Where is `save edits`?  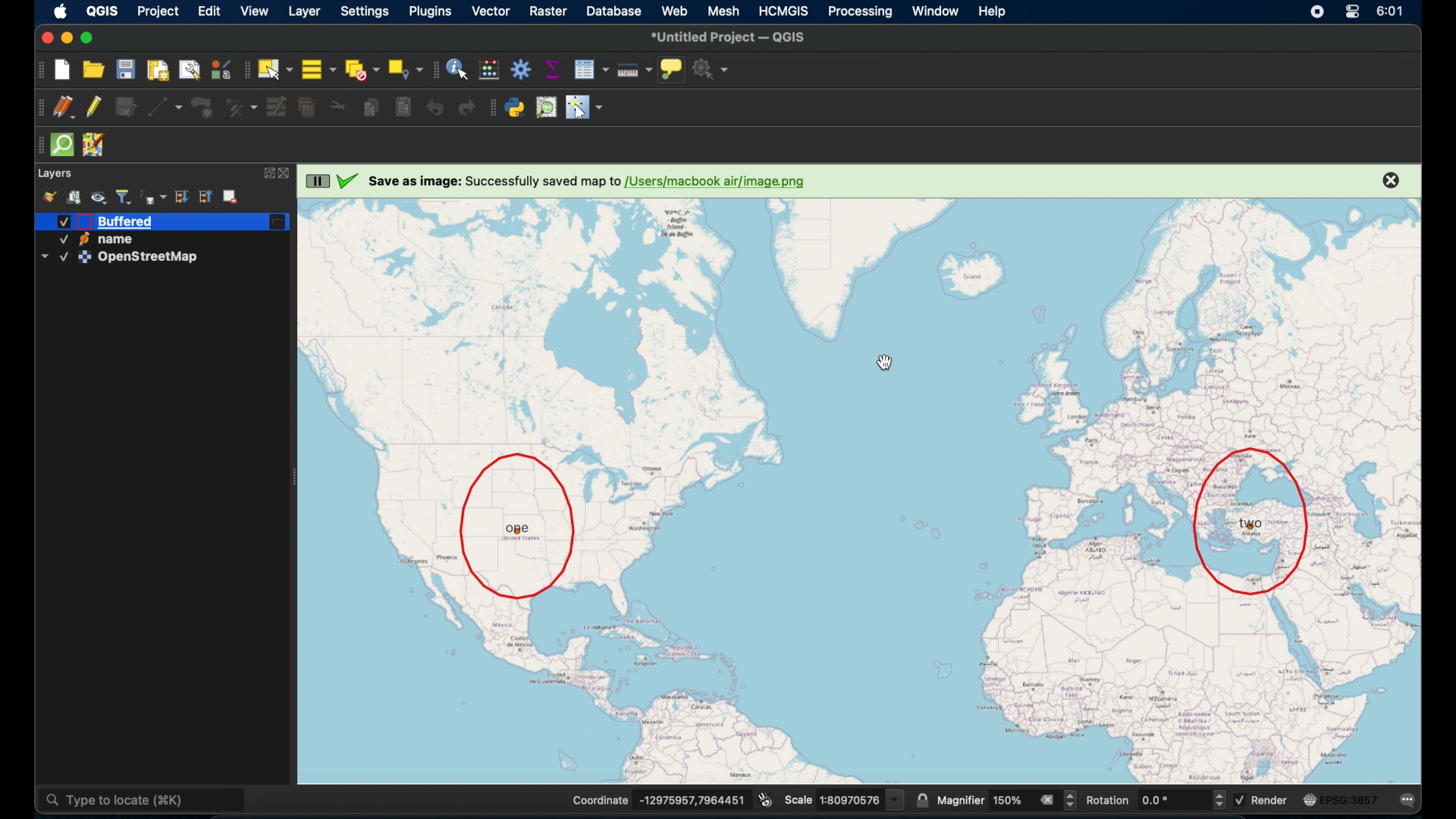
save edits is located at coordinates (124, 107).